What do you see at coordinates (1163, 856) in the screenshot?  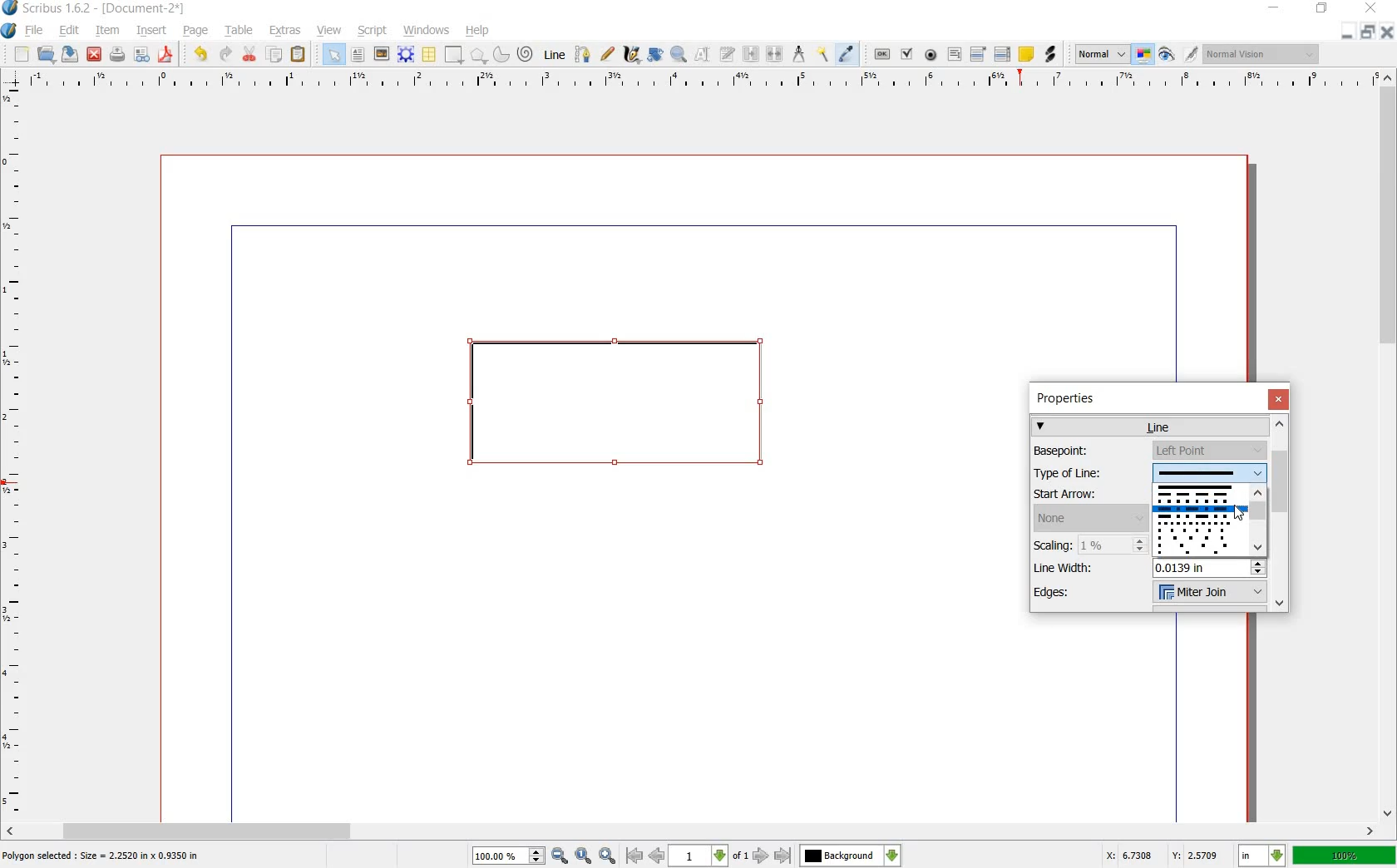 I see `X: 6.7308 Y: 2.5709` at bounding box center [1163, 856].